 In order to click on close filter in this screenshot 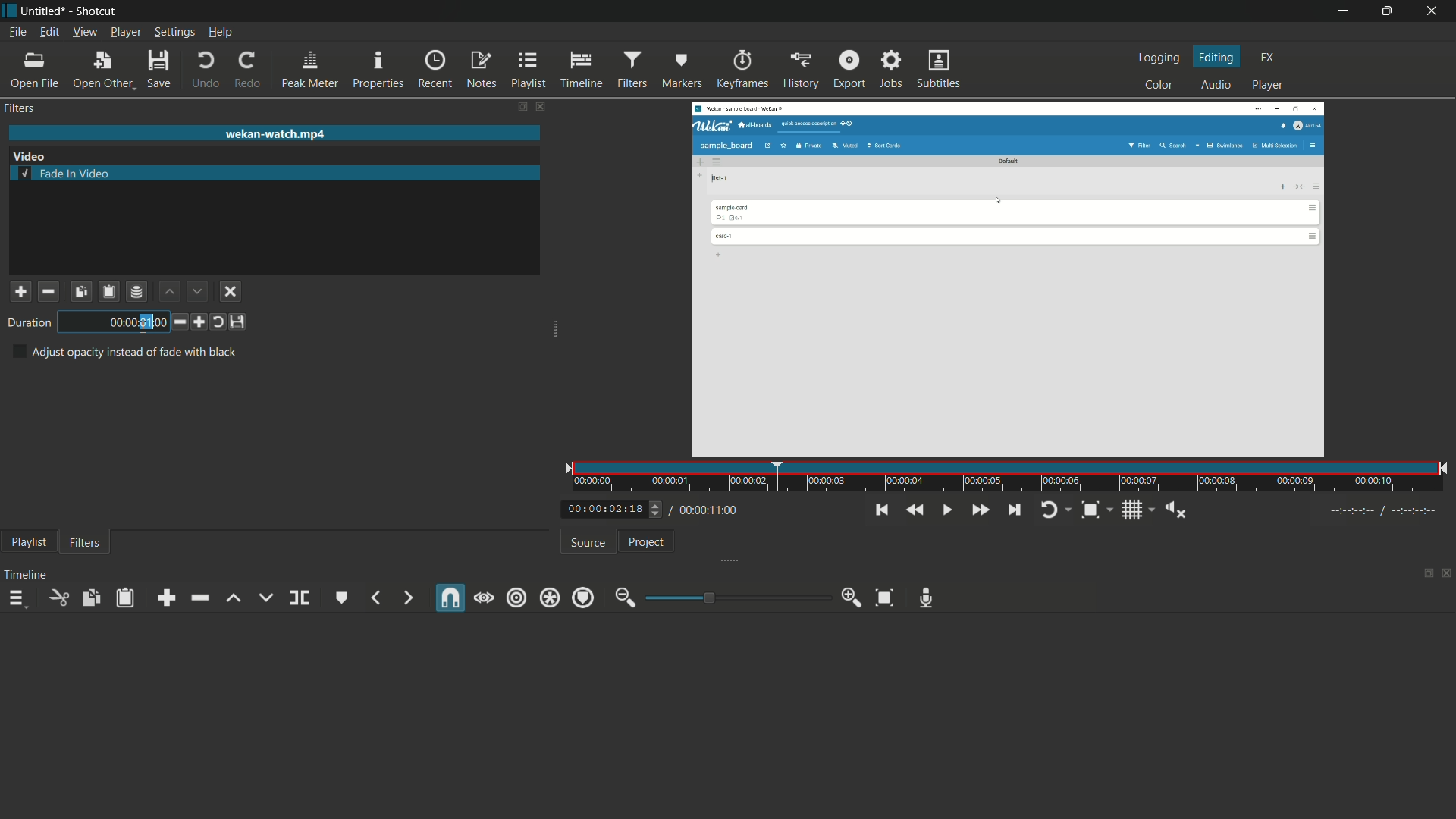, I will do `click(541, 108)`.